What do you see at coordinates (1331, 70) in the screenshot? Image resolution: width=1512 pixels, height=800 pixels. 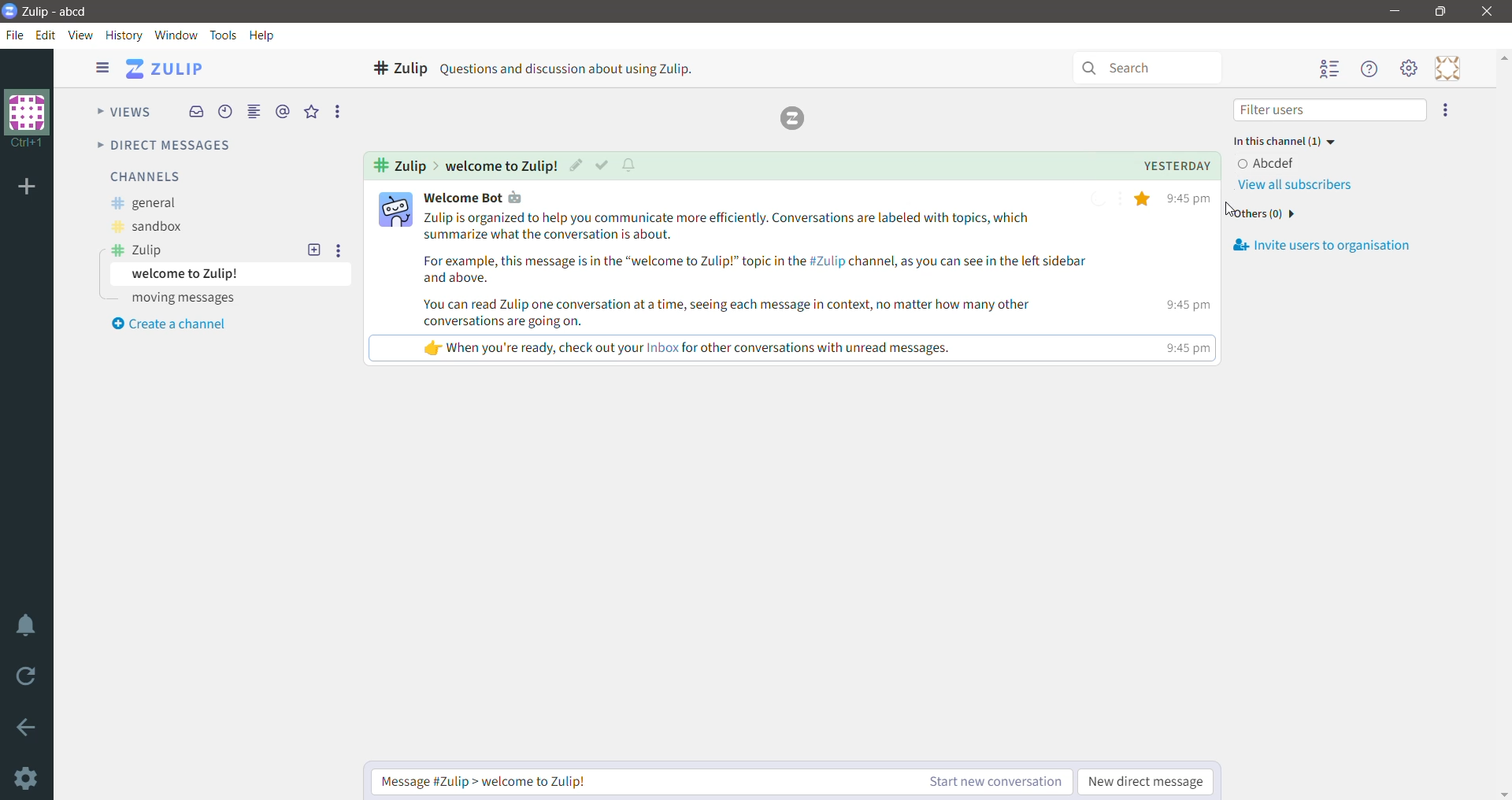 I see `Hide user list` at bounding box center [1331, 70].